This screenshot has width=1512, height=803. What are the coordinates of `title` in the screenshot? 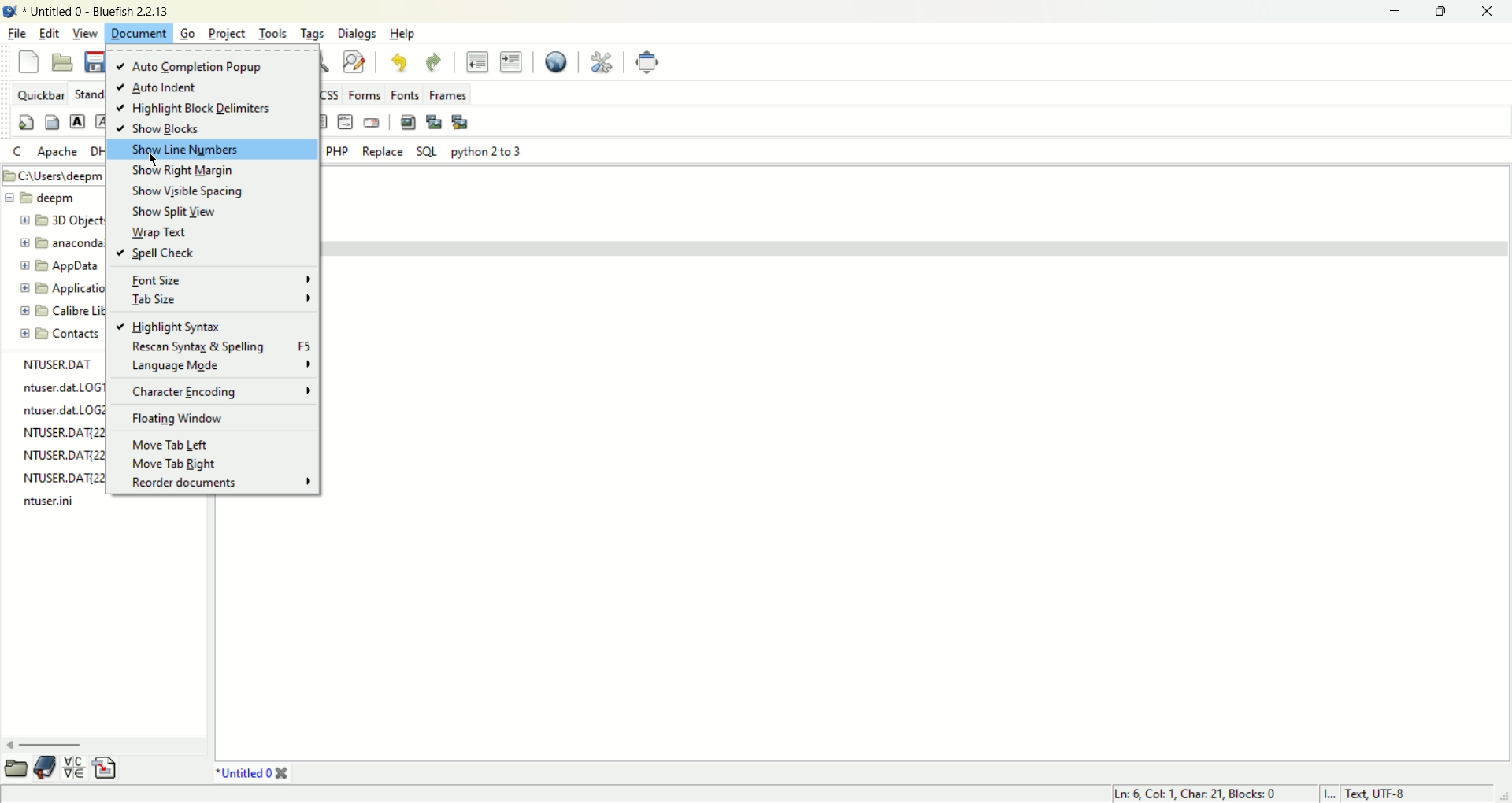 It's located at (252, 775).